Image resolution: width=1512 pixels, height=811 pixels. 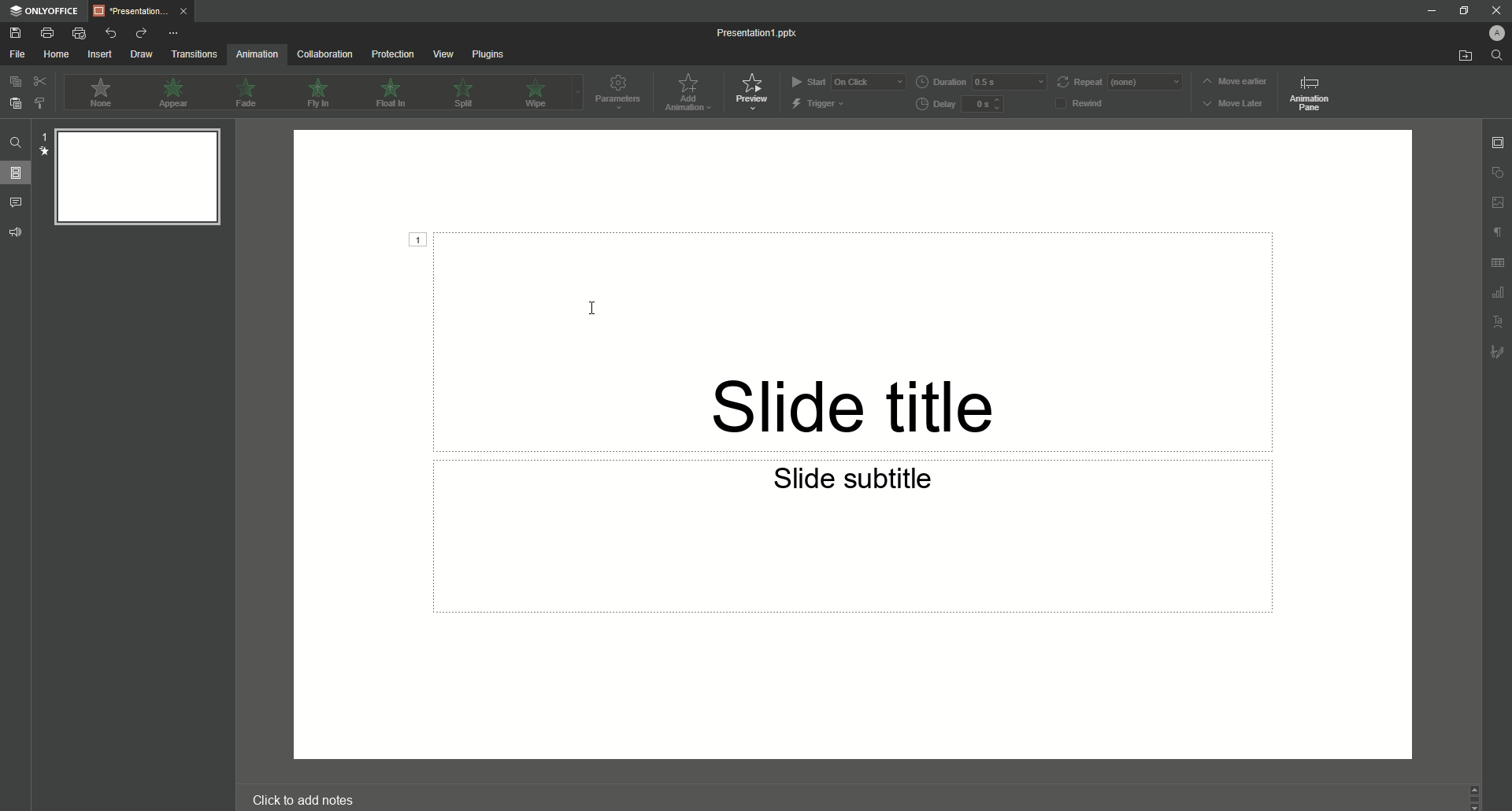 I want to click on Cut, so click(x=41, y=81).